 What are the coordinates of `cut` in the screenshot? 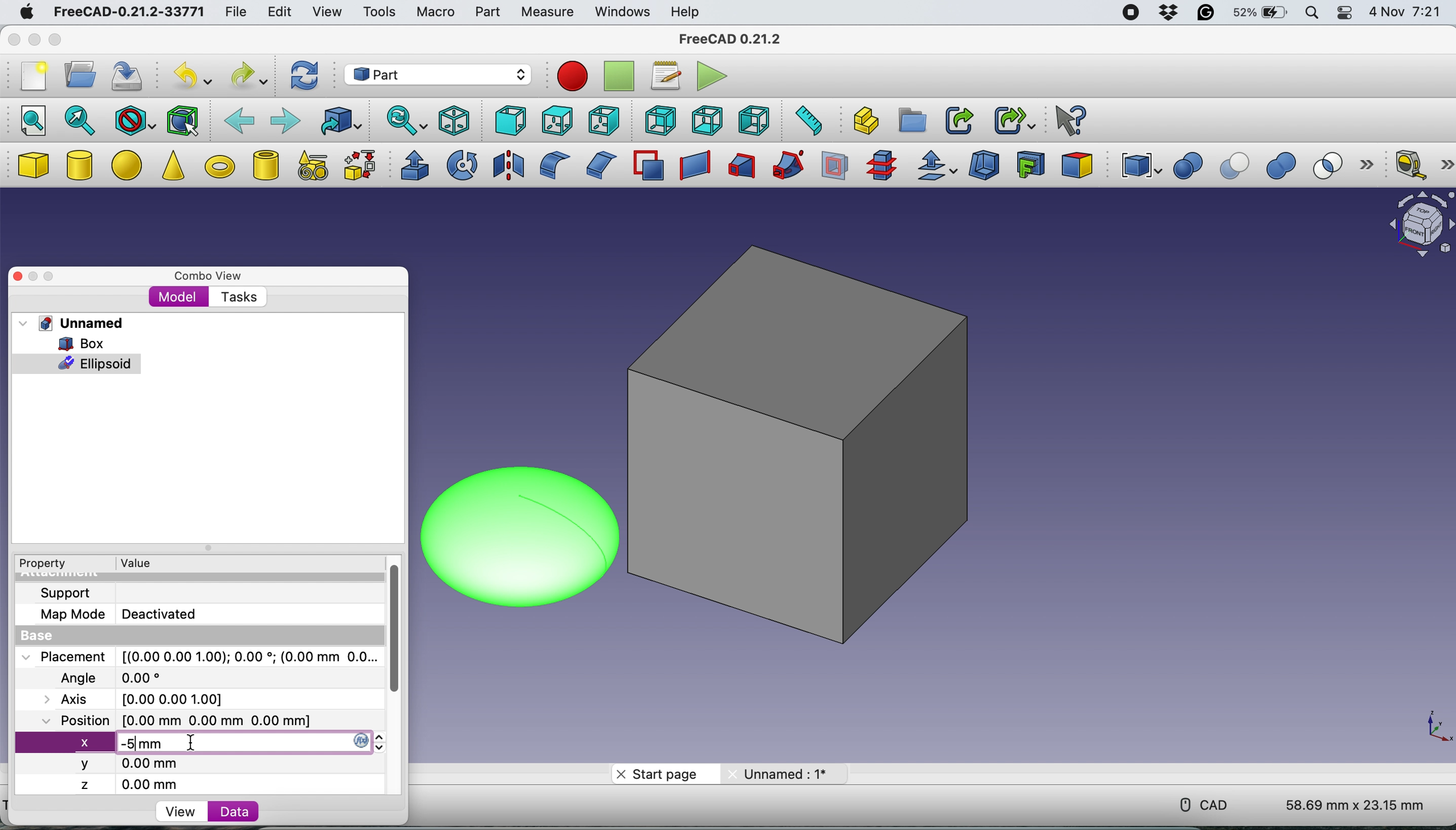 It's located at (1237, 166).